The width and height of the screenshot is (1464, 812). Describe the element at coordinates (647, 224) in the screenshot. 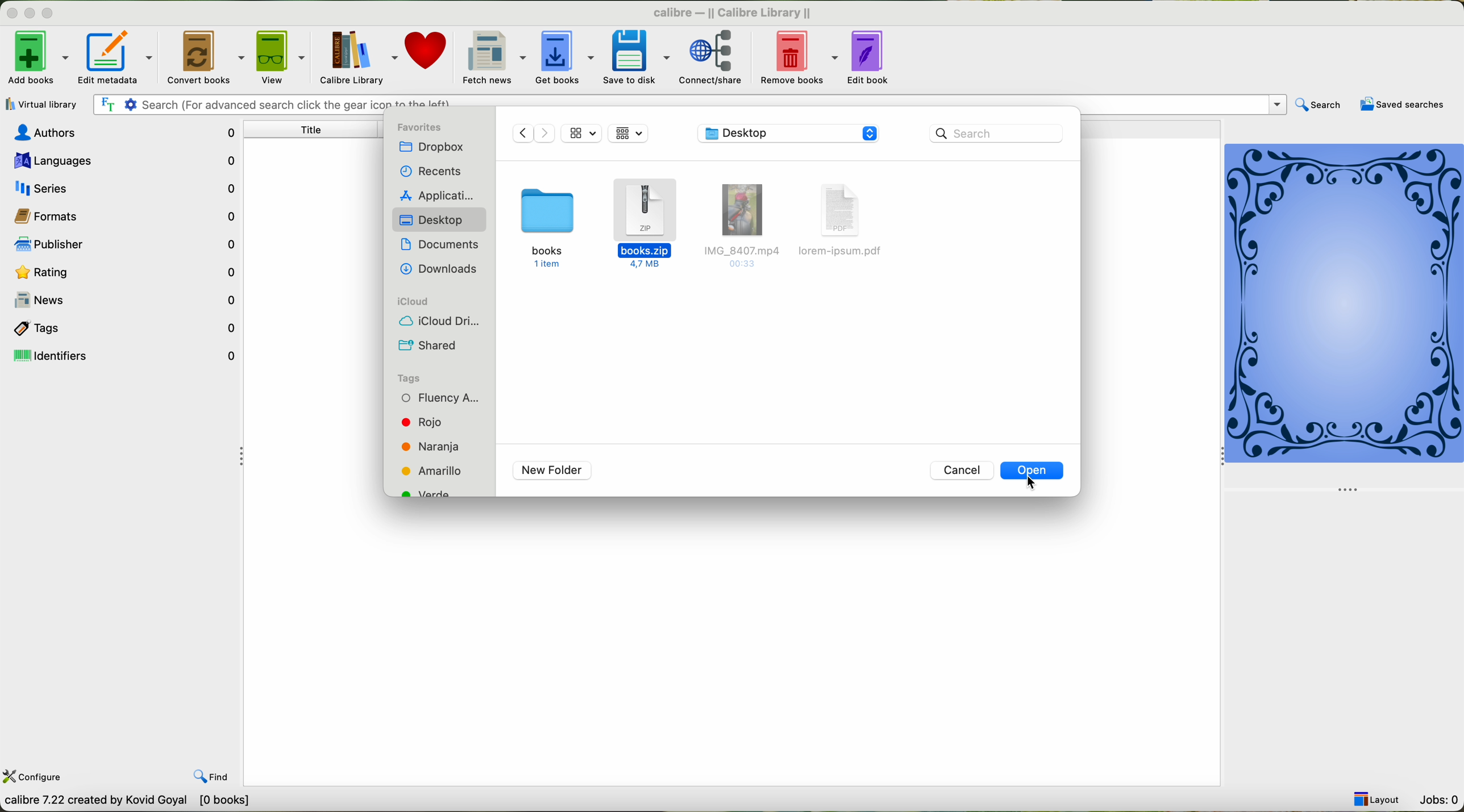

I see `zip file selected` at that location.